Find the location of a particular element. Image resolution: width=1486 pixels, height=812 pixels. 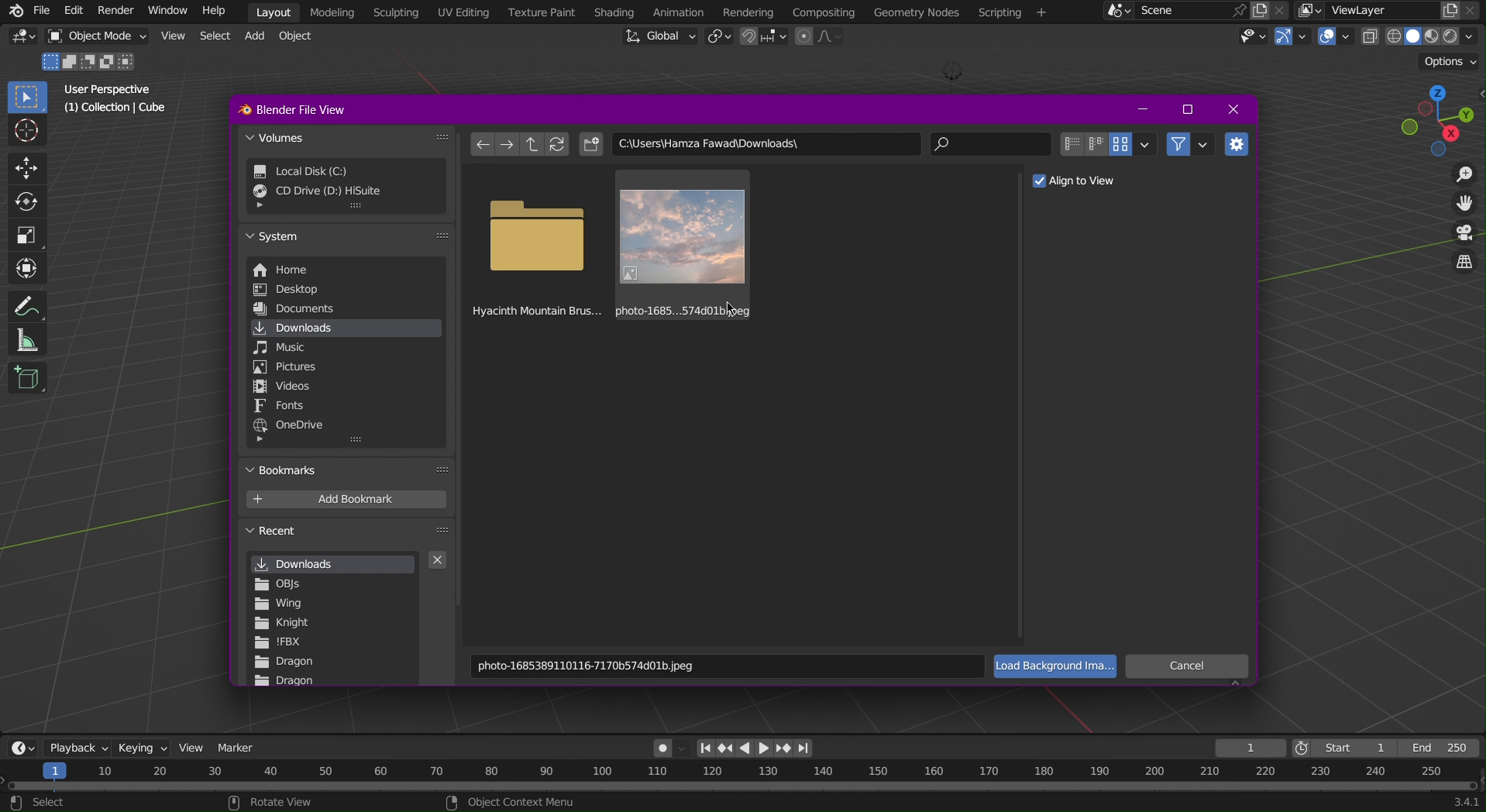

View Objects Type is located at coordinates (1250, 36).